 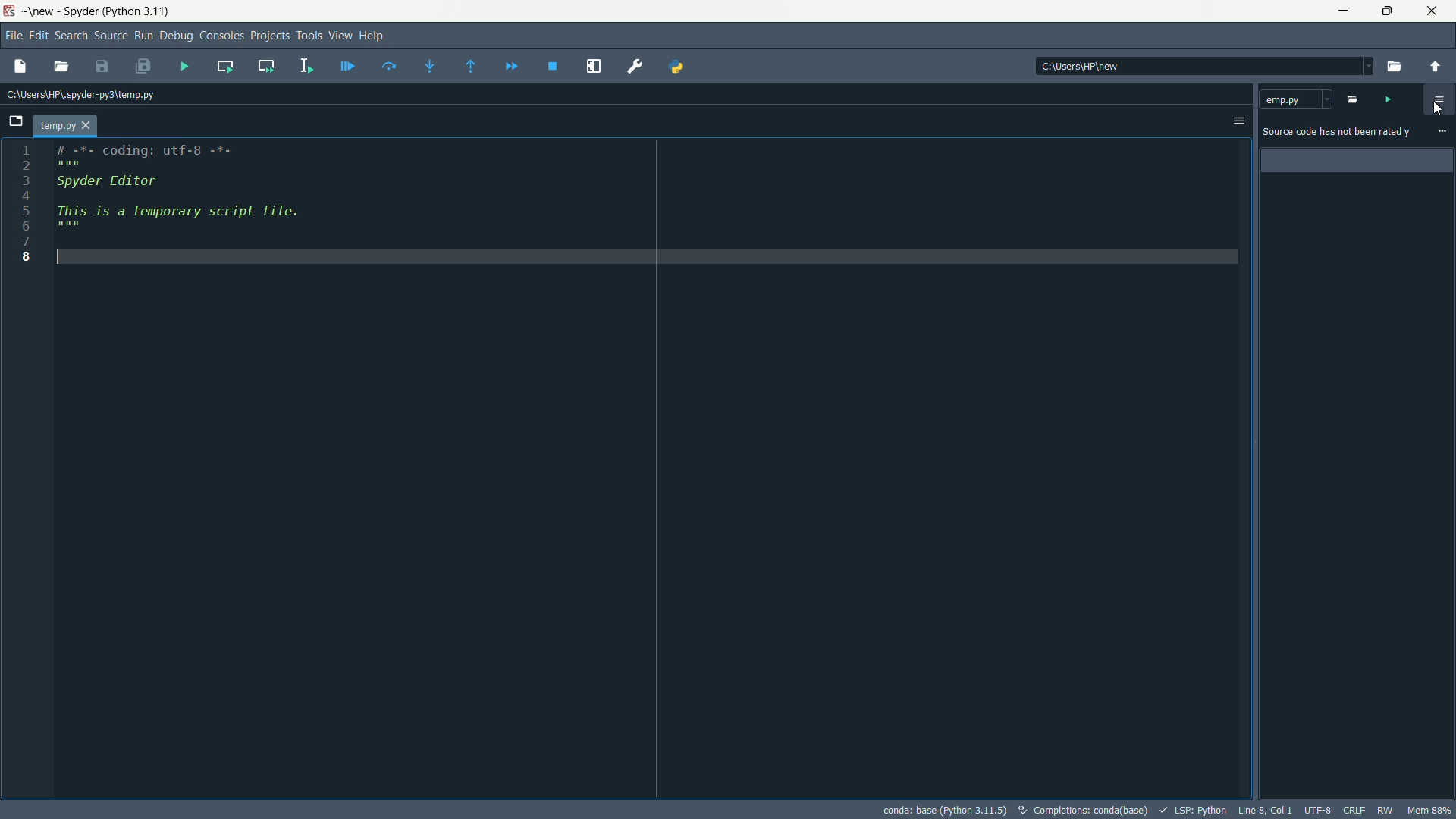 I want to click on browse tabs, so click(x=15, y=121).